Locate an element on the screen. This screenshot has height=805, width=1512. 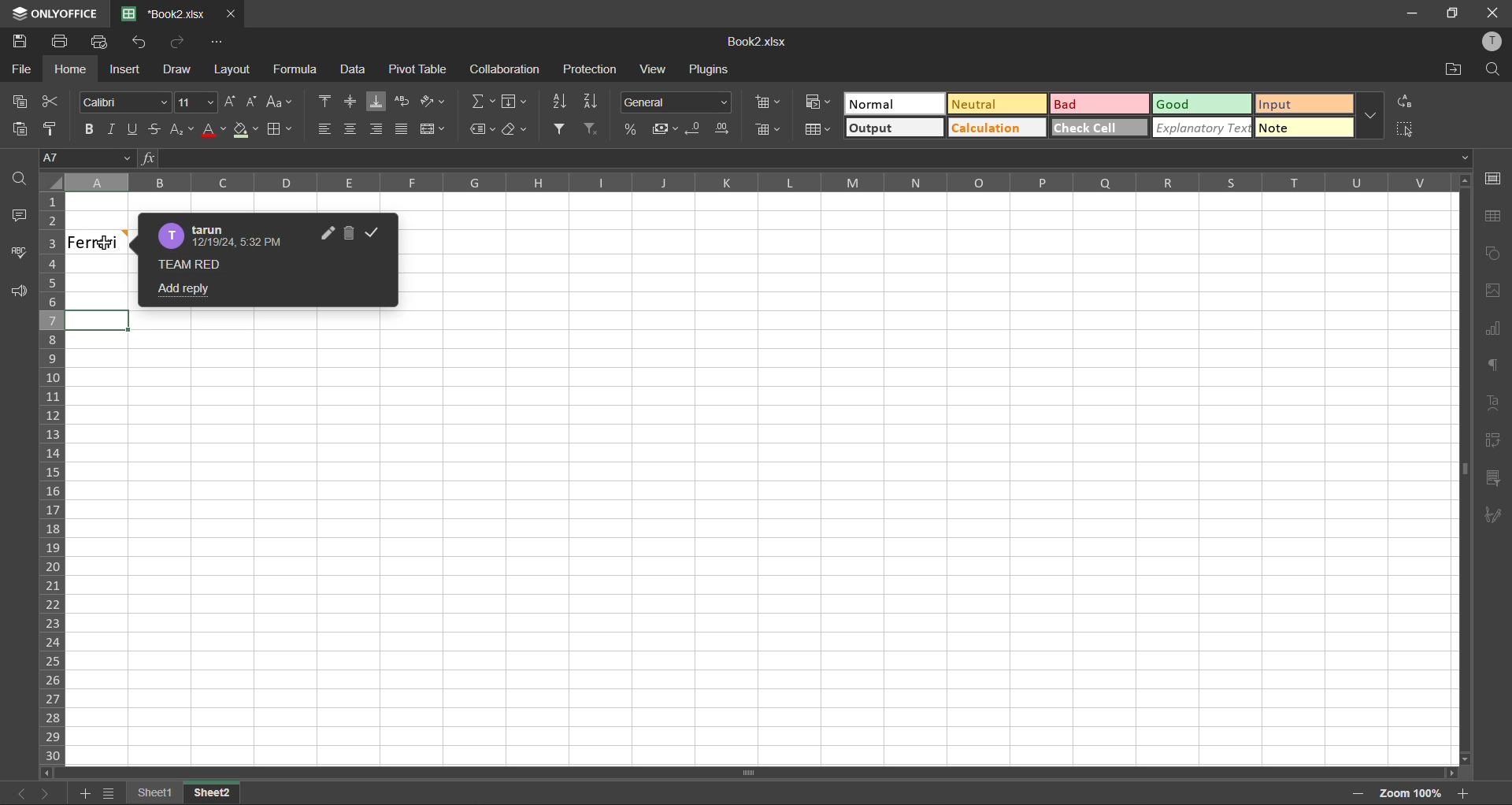
paste is located at coordinates (20, 131).